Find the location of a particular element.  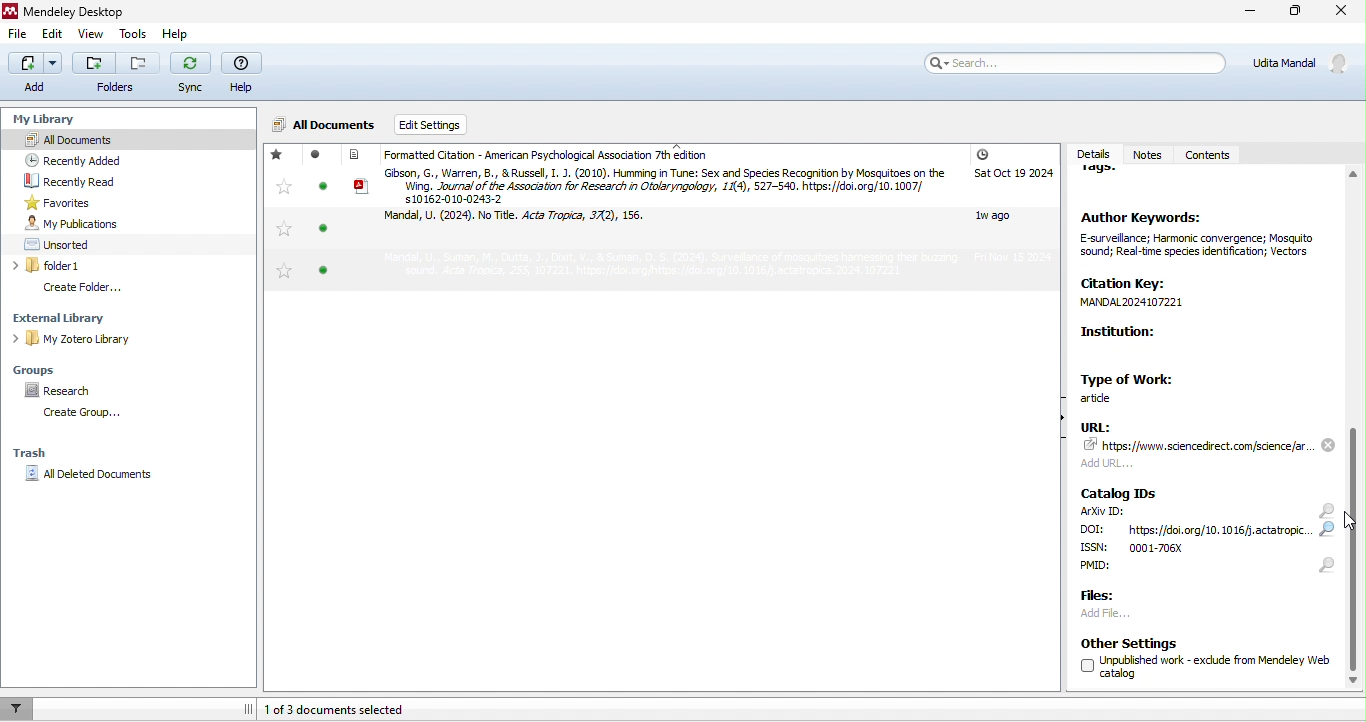

file is located at coordinates (20, 37).